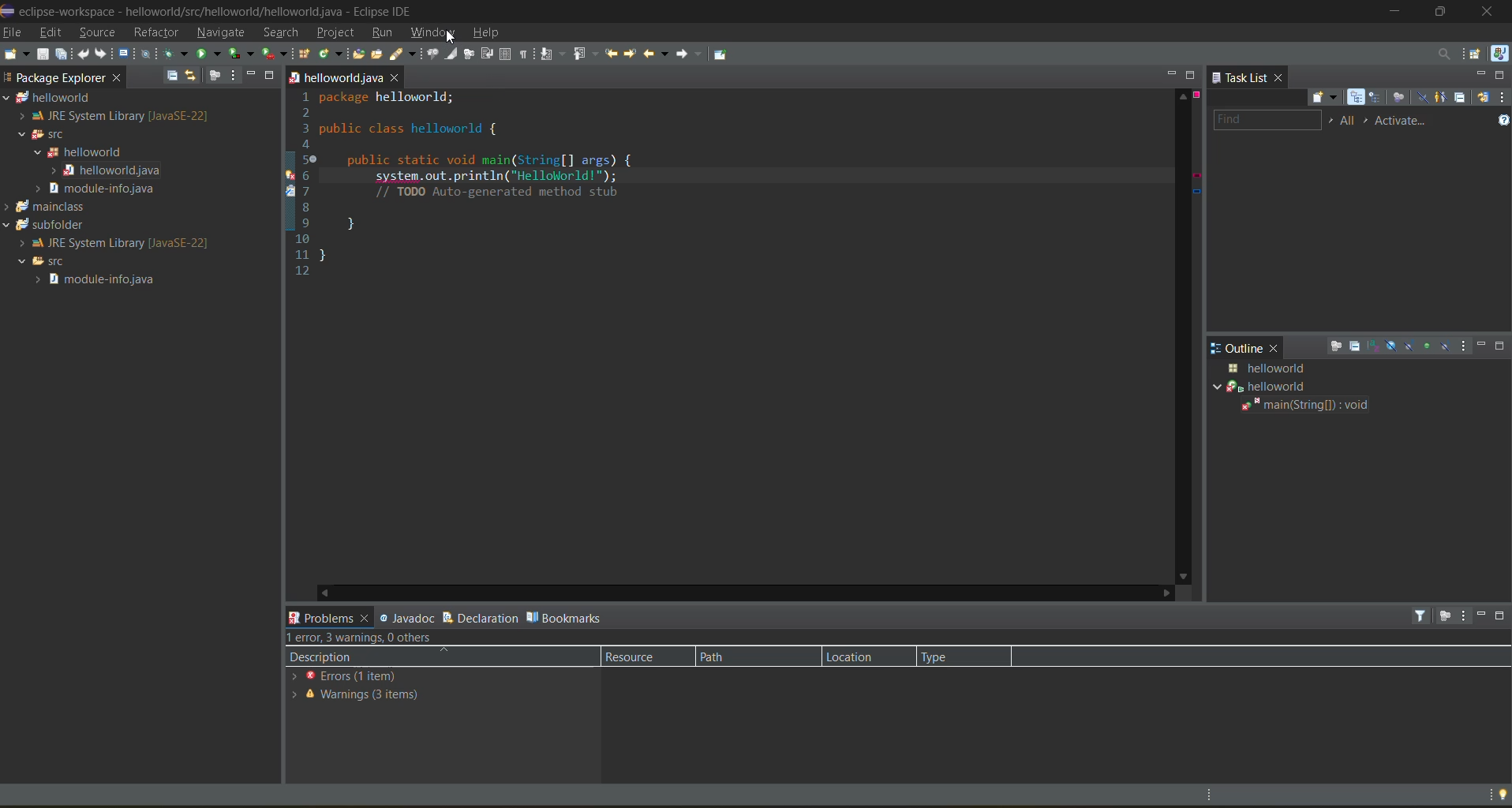 This screenshot has height=808, width=1512. Describe the element at coordinates (634, 52) in the screenshot. I see `next edit location` at that location.